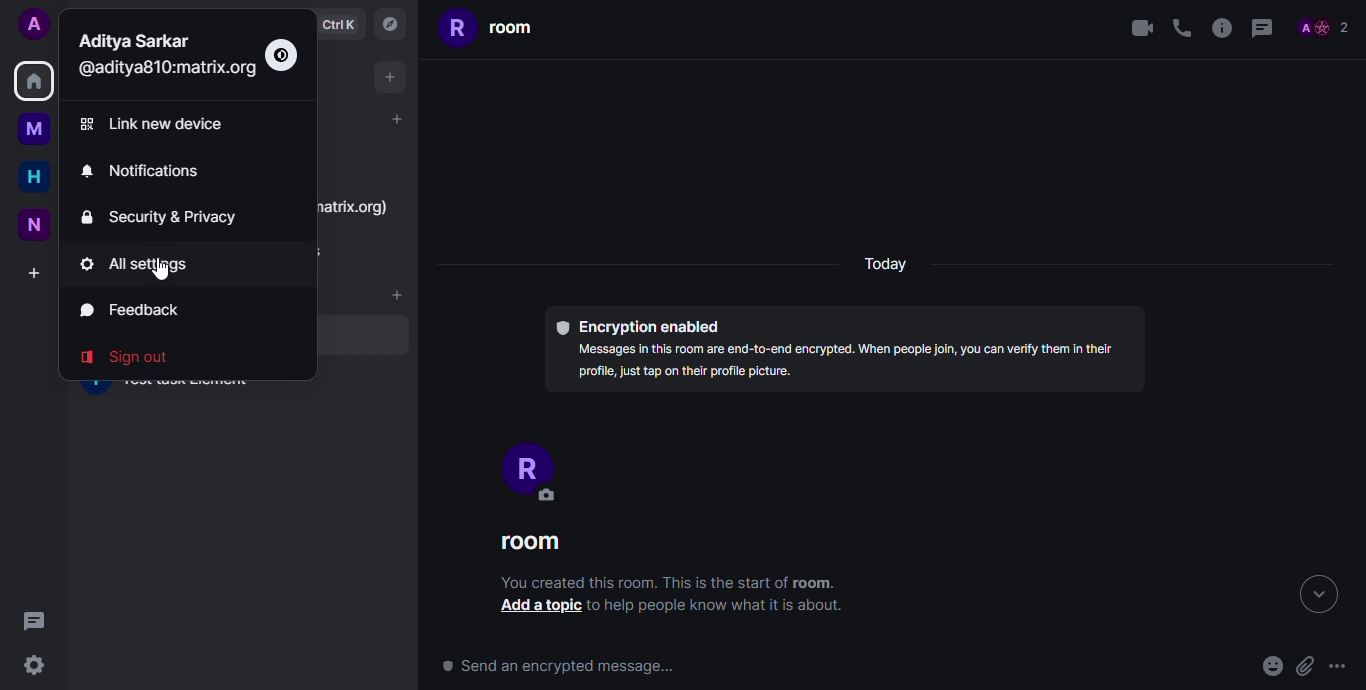 This screenshot has width=1366, height=690. What do you see at coordinates (1304, 666) in the screenshot?
I see `attach` at bounding box center [1304, 666].